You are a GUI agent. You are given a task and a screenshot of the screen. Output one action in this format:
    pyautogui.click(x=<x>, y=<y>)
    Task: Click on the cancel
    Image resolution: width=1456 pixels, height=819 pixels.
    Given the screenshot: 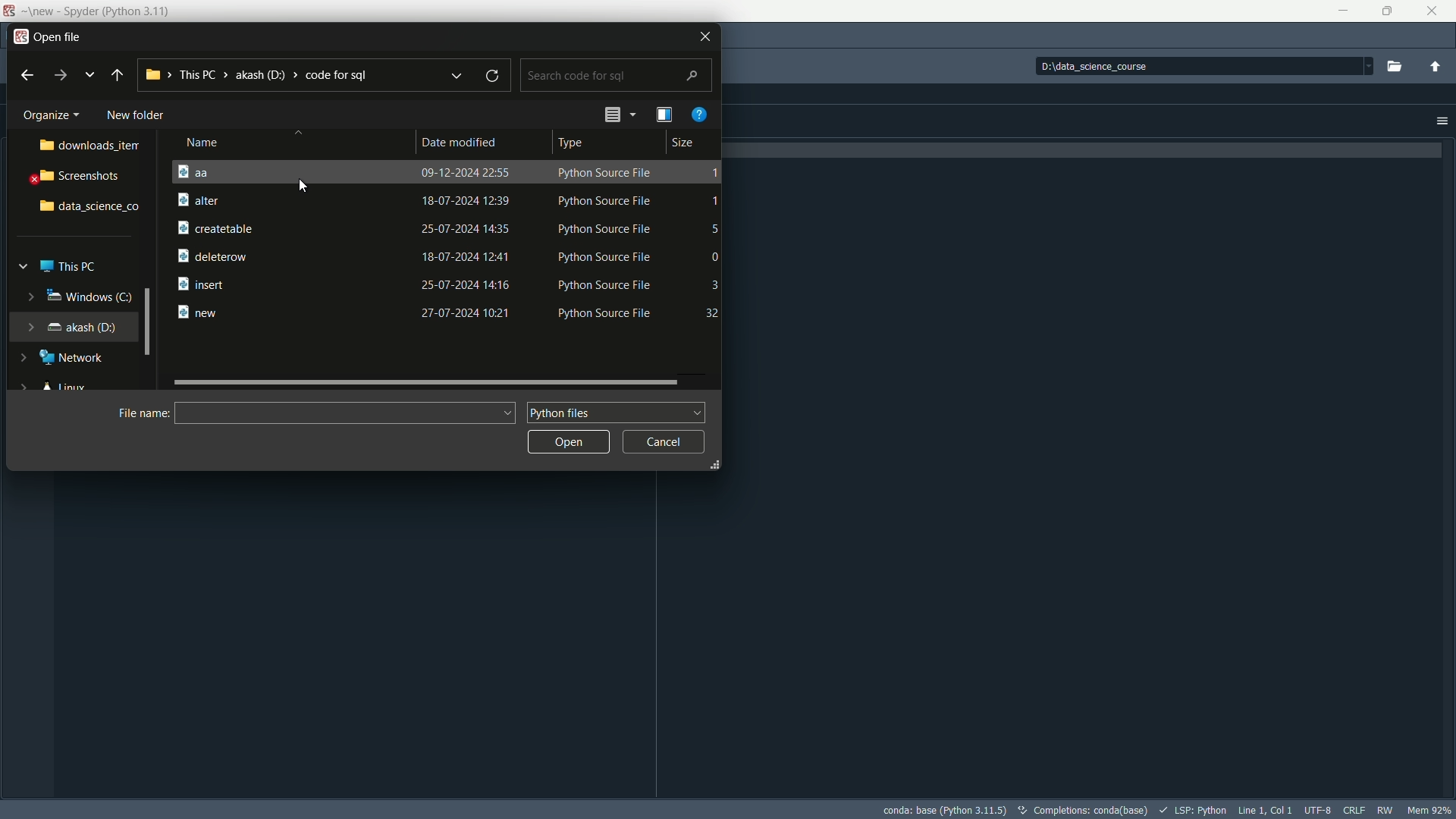 What is the action you would take?
    pyautogui.click(x=661, y=440)
    